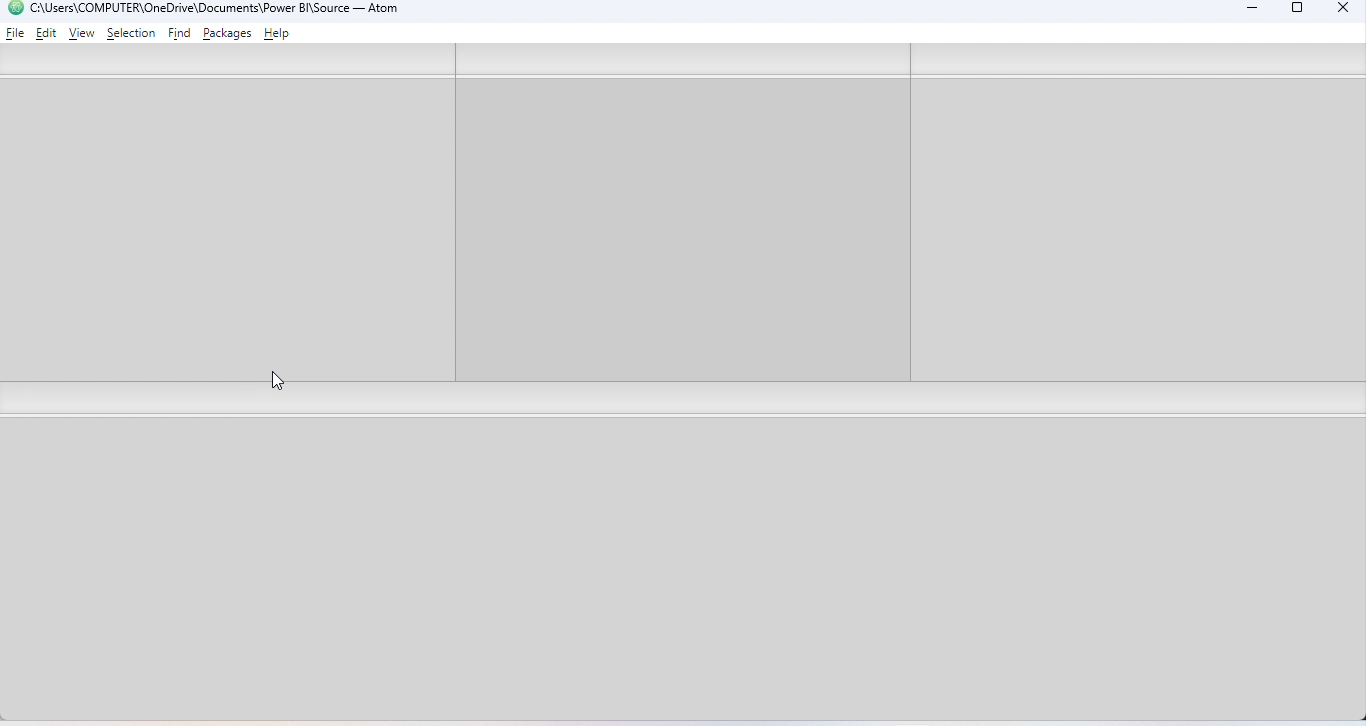 The width and height of the screenshot is (1366, 726). I want to click on Pane 2, so click(685, 212).